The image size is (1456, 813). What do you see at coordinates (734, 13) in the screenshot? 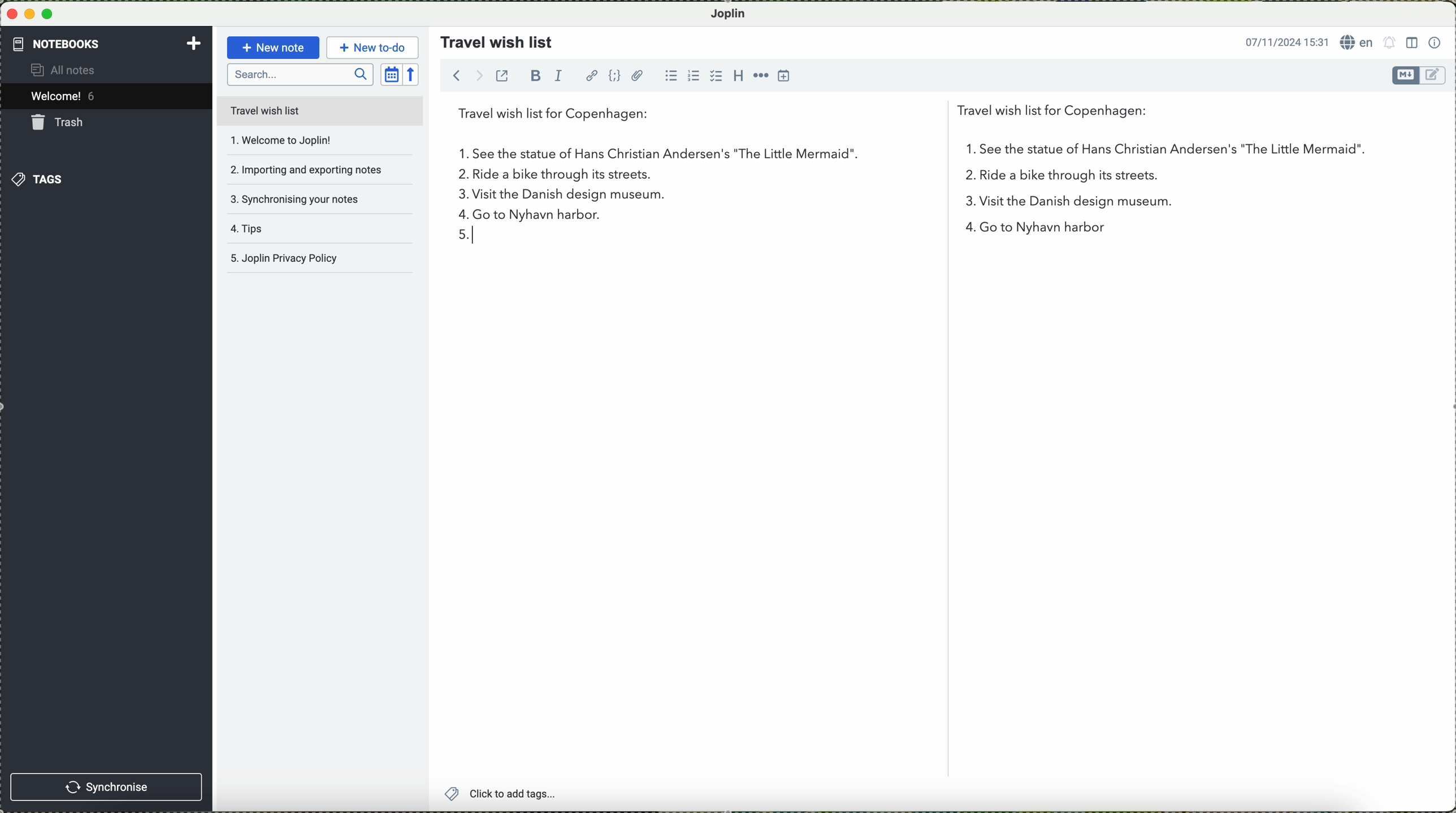
I see `Joplin` at bounding box center [734, 13].